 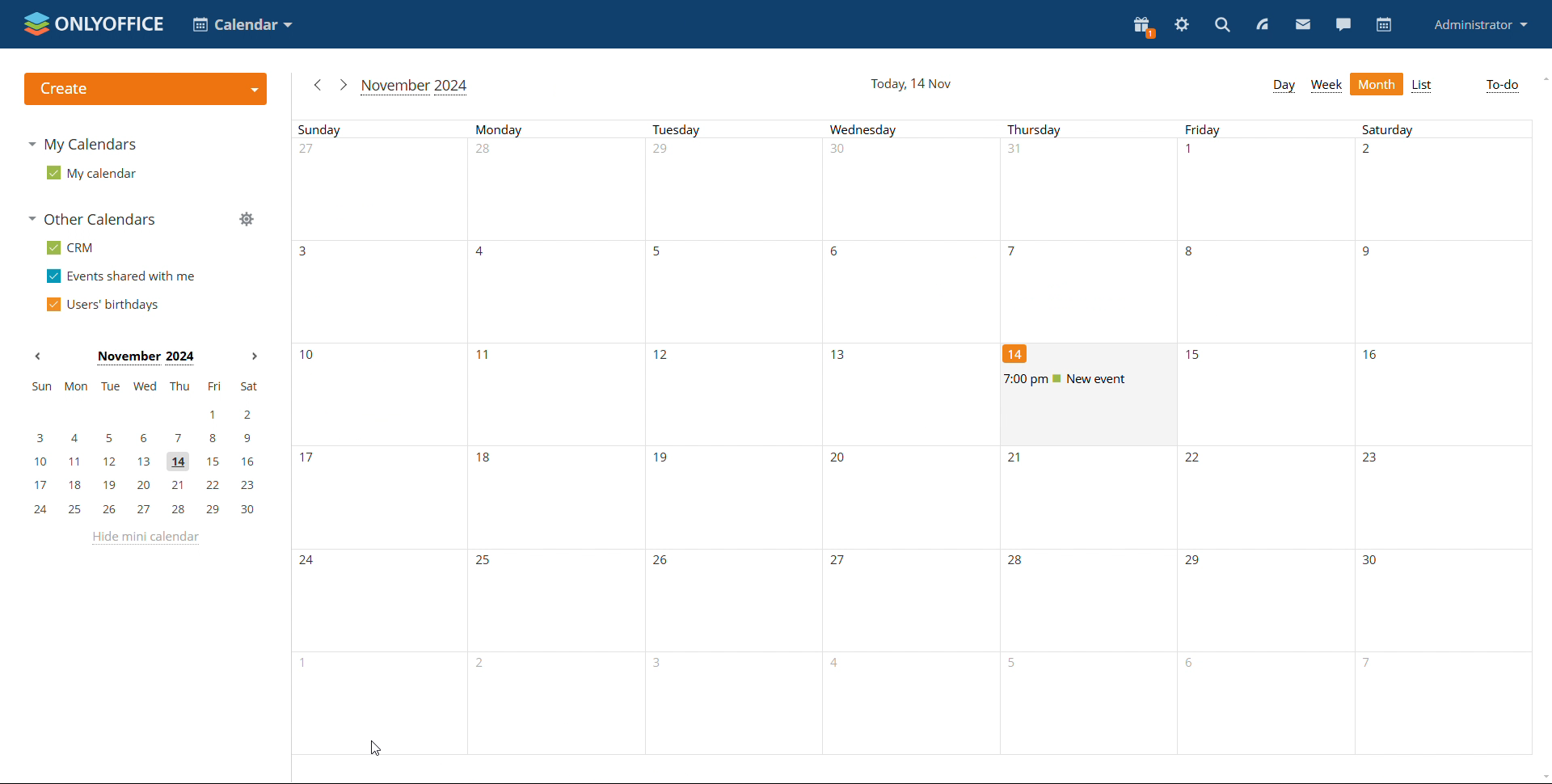 What do you see at coordinates (665, 460) in the screenshot?
I see `number` at bounding box center [665, 460].